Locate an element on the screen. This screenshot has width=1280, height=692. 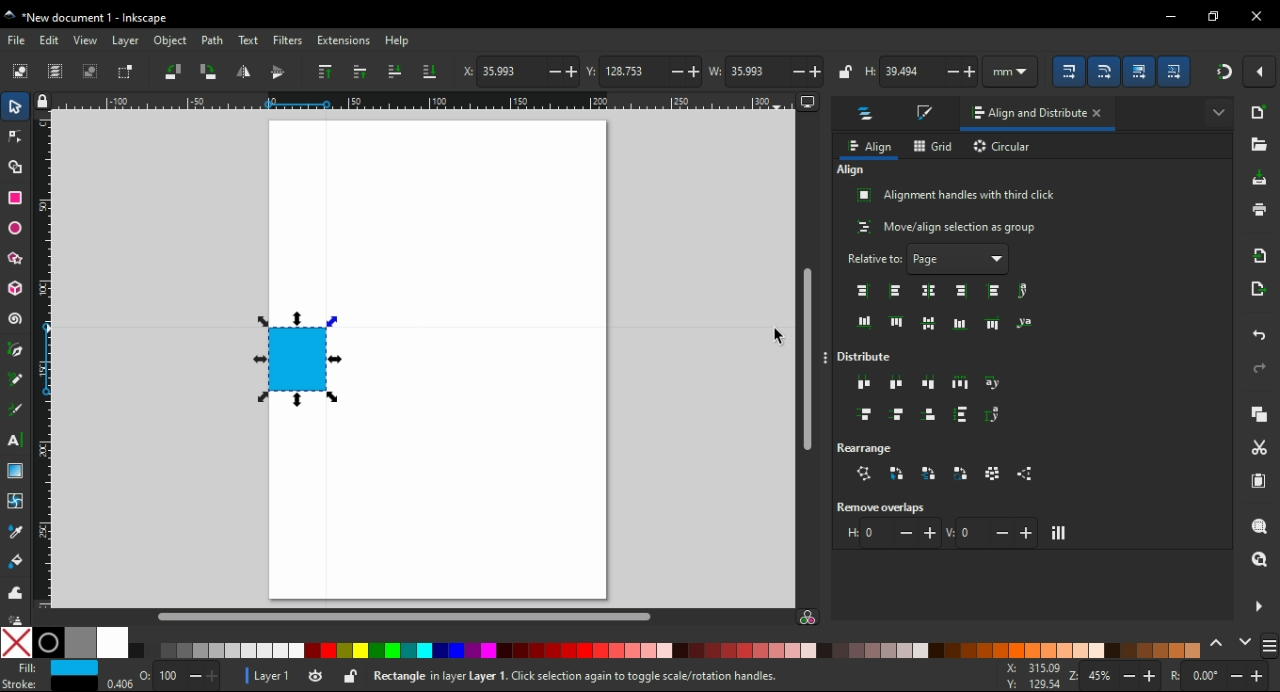
rectangle tool is located at coordinates (14, 199).